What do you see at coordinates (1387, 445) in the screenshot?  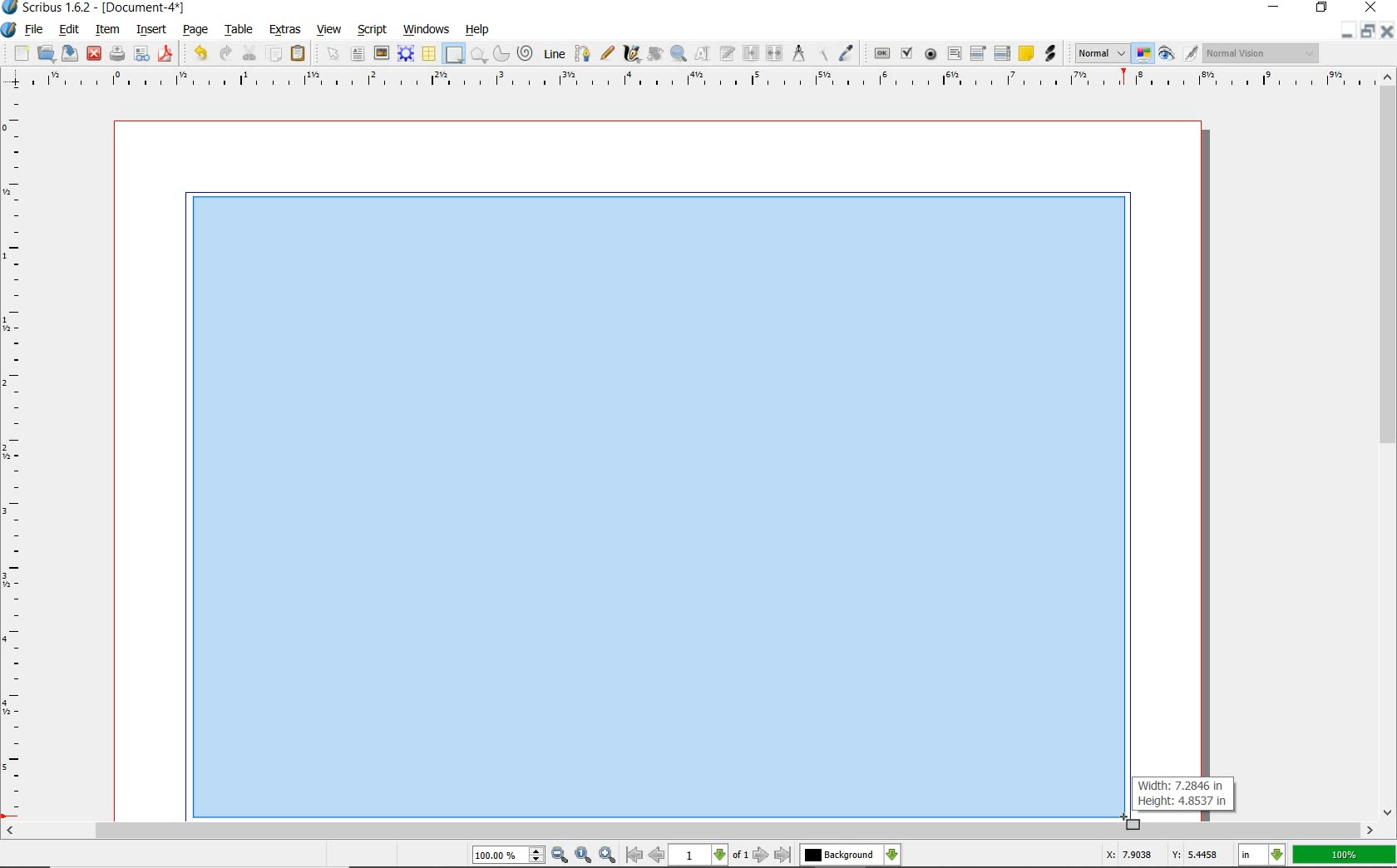 I see `scrollbar` at bounding box center [1387, 445].